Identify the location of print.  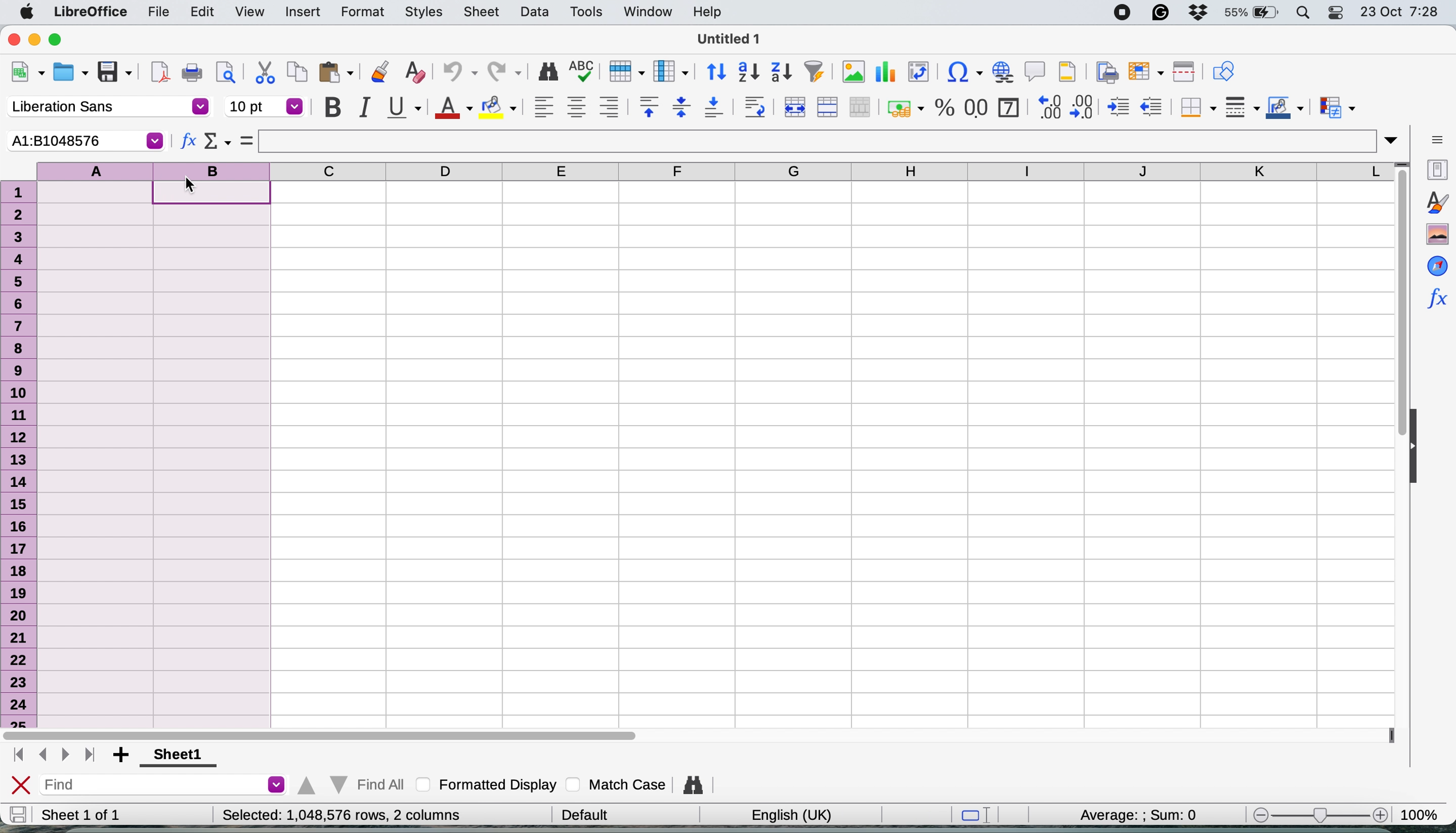
(194, 74).